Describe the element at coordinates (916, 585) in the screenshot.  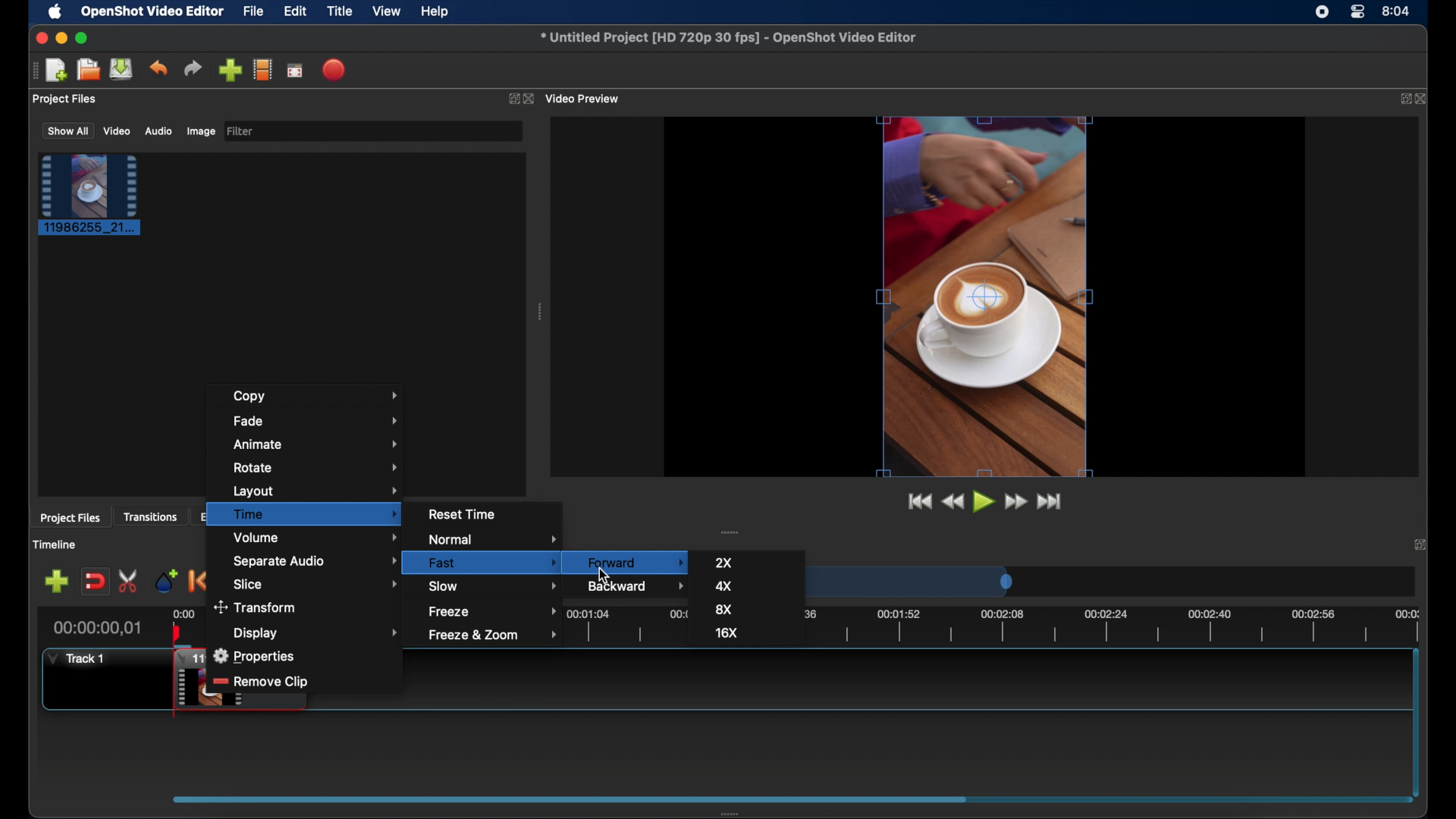
I see `timeline scale` at that location.